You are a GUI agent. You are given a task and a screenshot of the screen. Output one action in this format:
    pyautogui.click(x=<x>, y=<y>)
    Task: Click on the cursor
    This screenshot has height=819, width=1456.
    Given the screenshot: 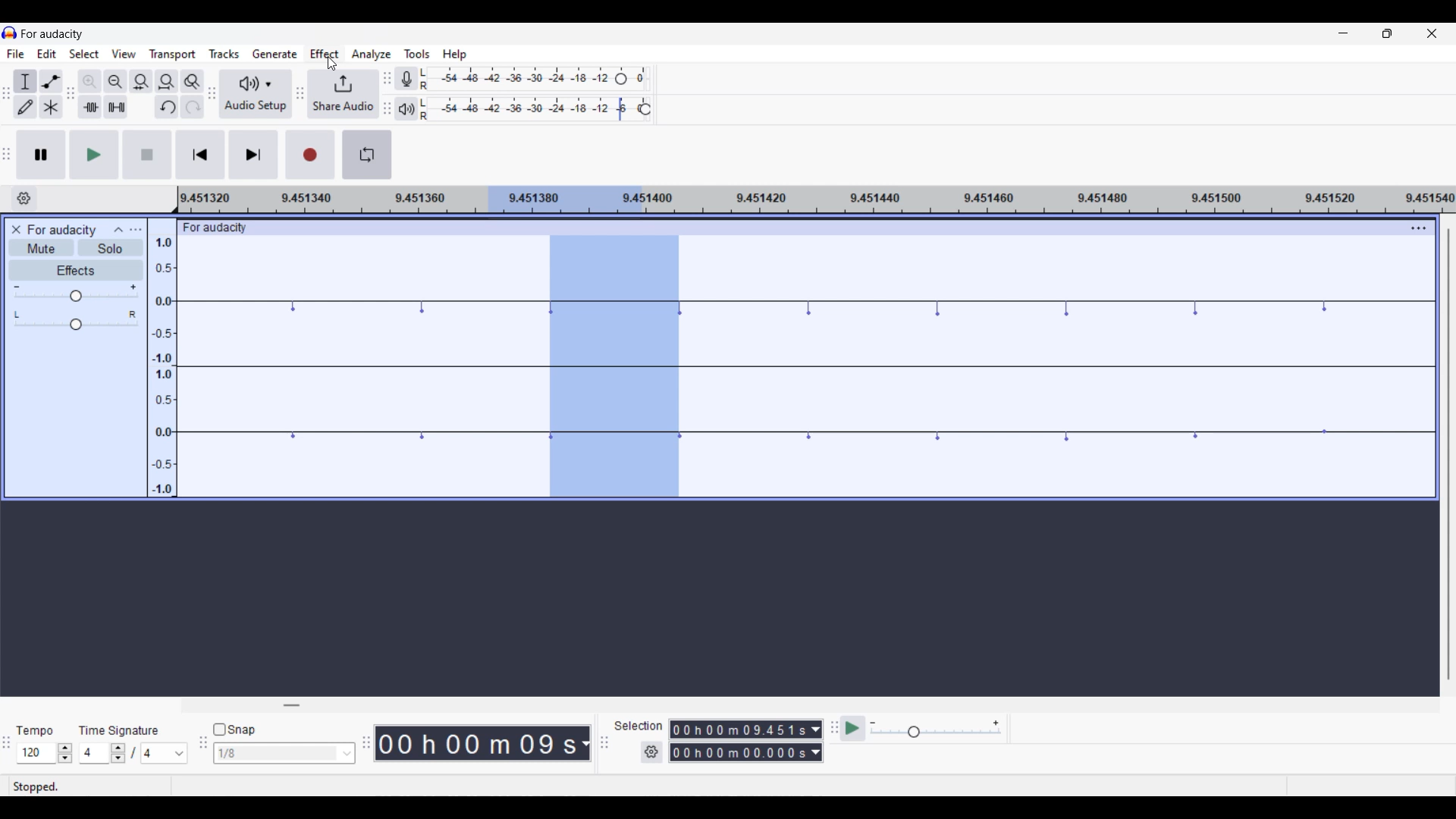 What is the action you would take?
    pyautogui.click(x=331, y=65)
    